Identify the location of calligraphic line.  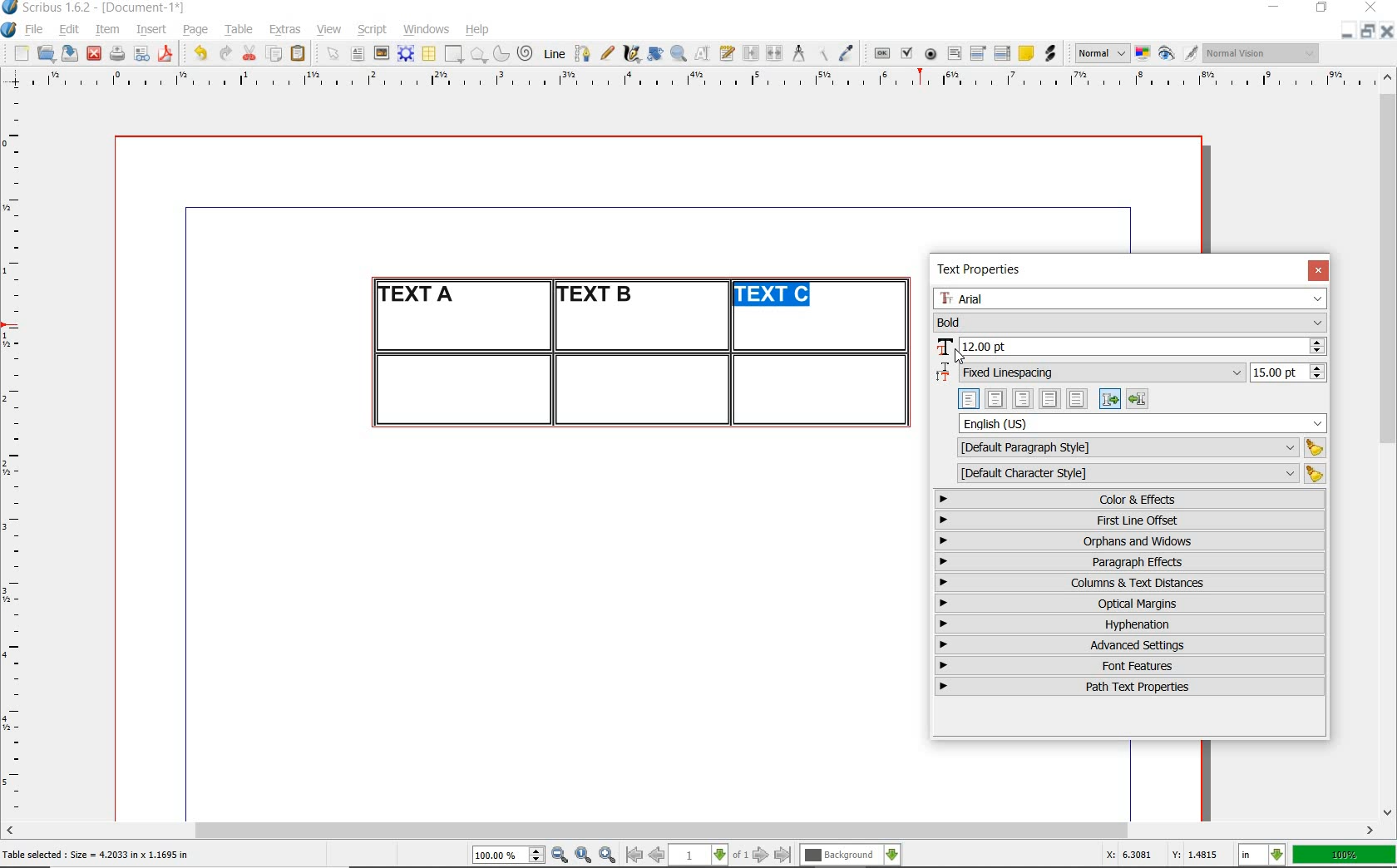
(633, 53).